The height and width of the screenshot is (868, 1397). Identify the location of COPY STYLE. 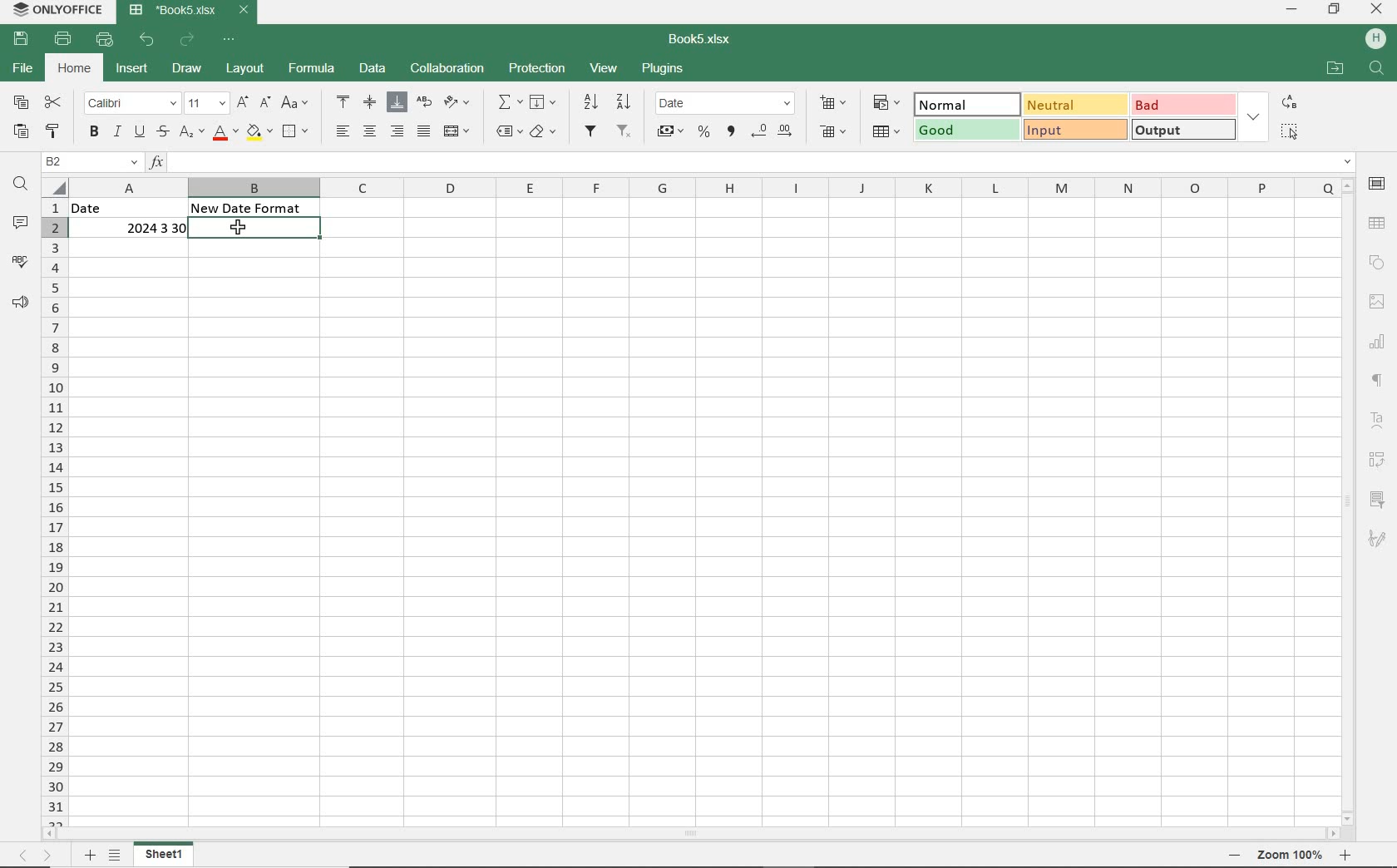
(55, 131).